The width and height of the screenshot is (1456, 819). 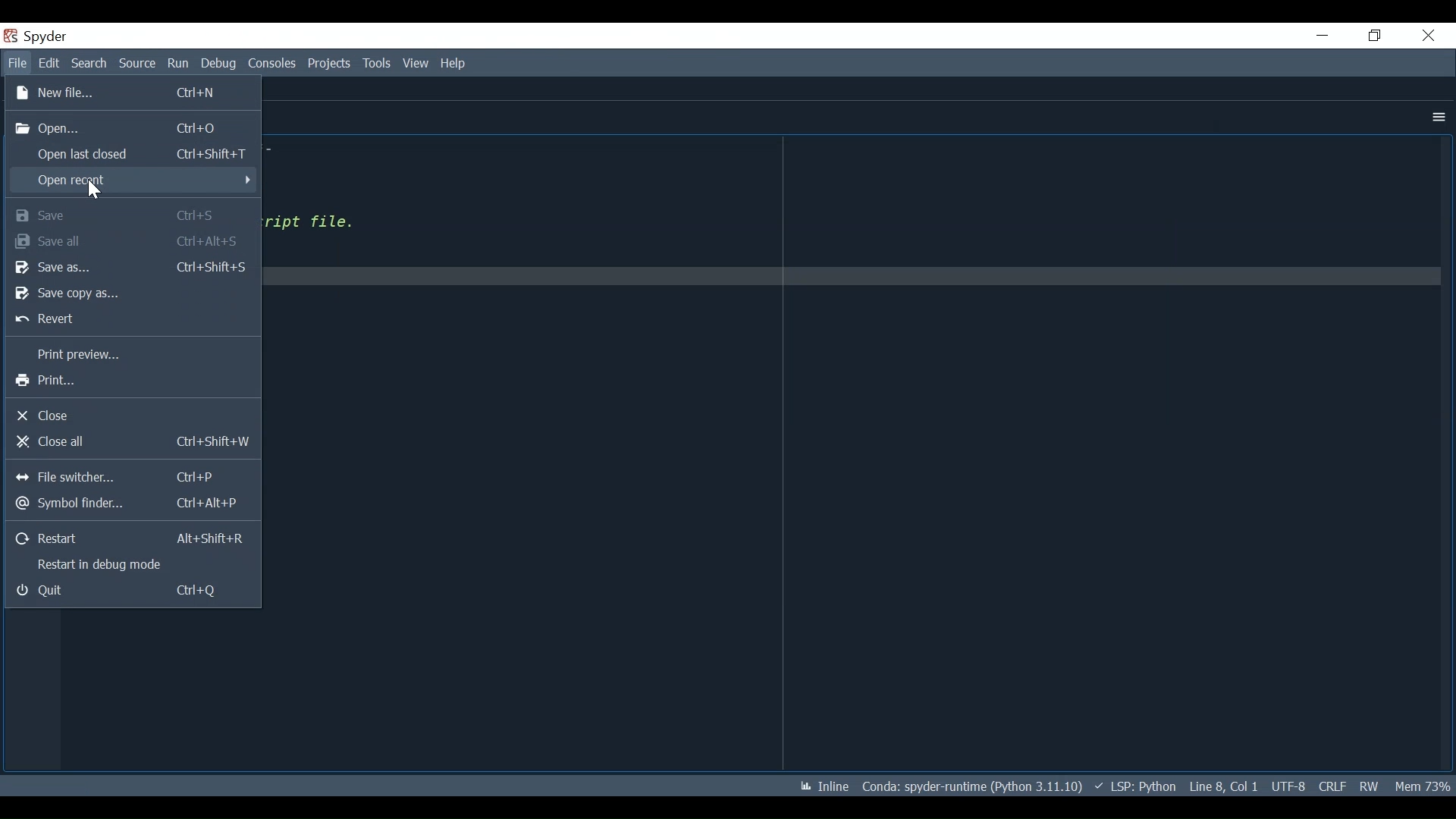 I want to click on Close all, so click(x=130, y=442).